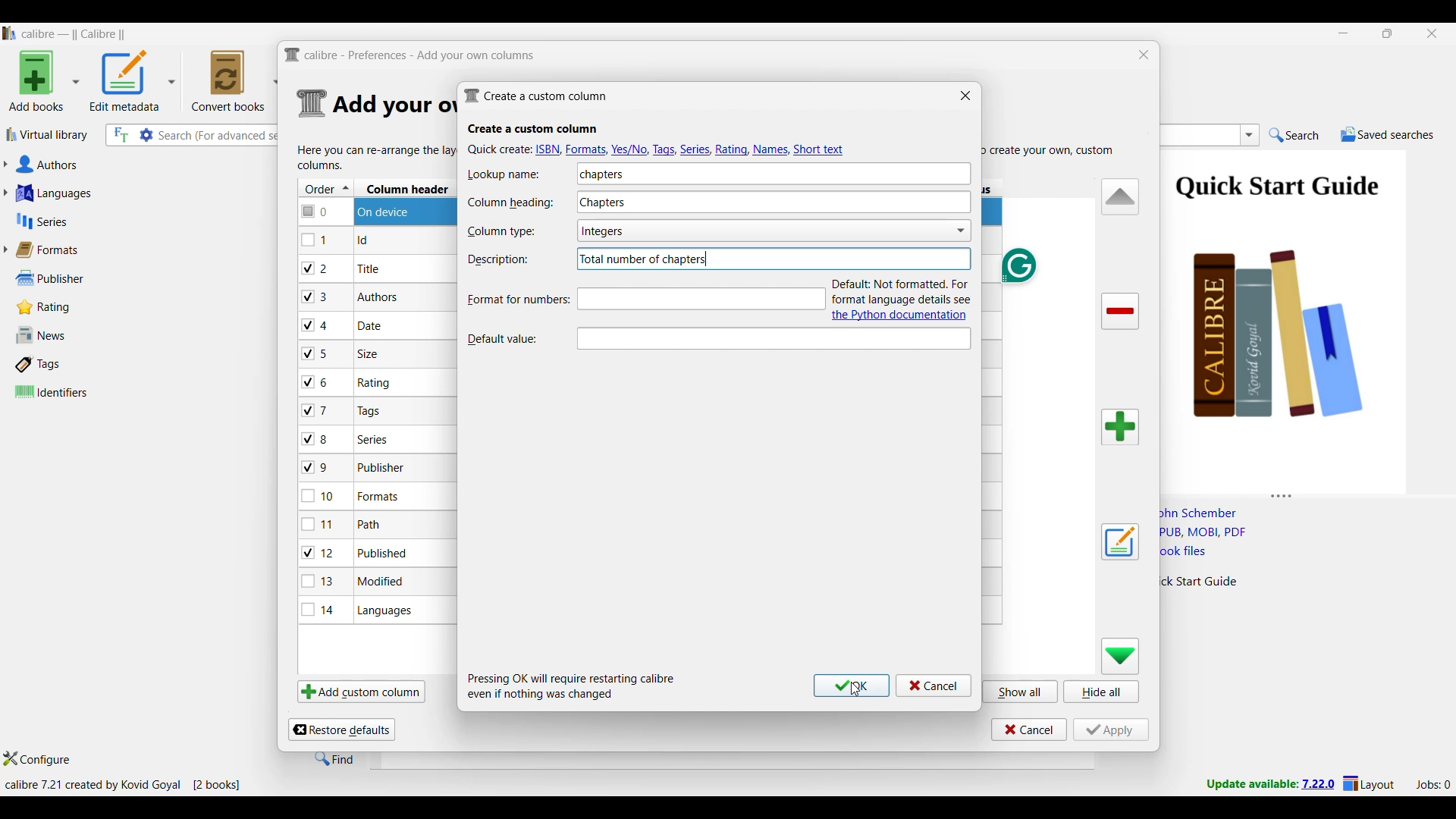 The height and width of the screenshot is (819, 1456). I want to click on checkbox - 4, so click(315, 325).